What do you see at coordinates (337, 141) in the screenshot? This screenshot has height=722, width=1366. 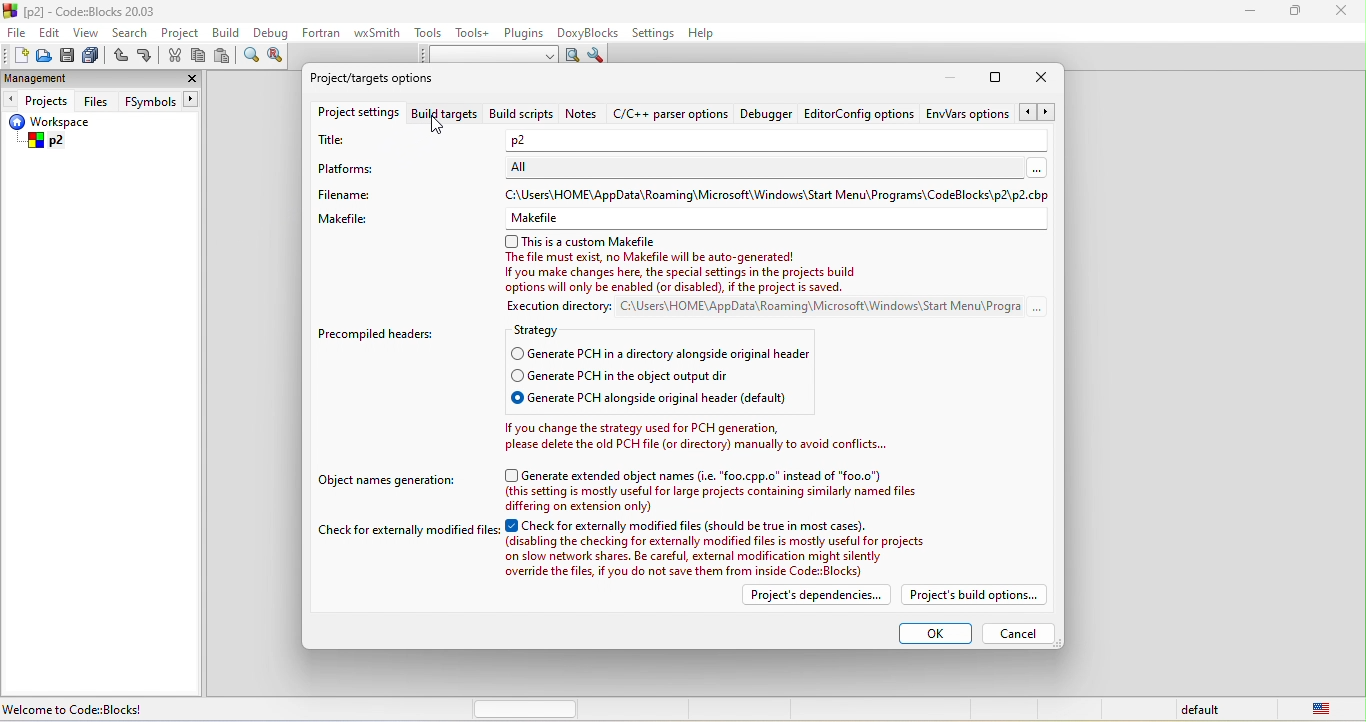 I see `title` at bounding box center [337, 141].